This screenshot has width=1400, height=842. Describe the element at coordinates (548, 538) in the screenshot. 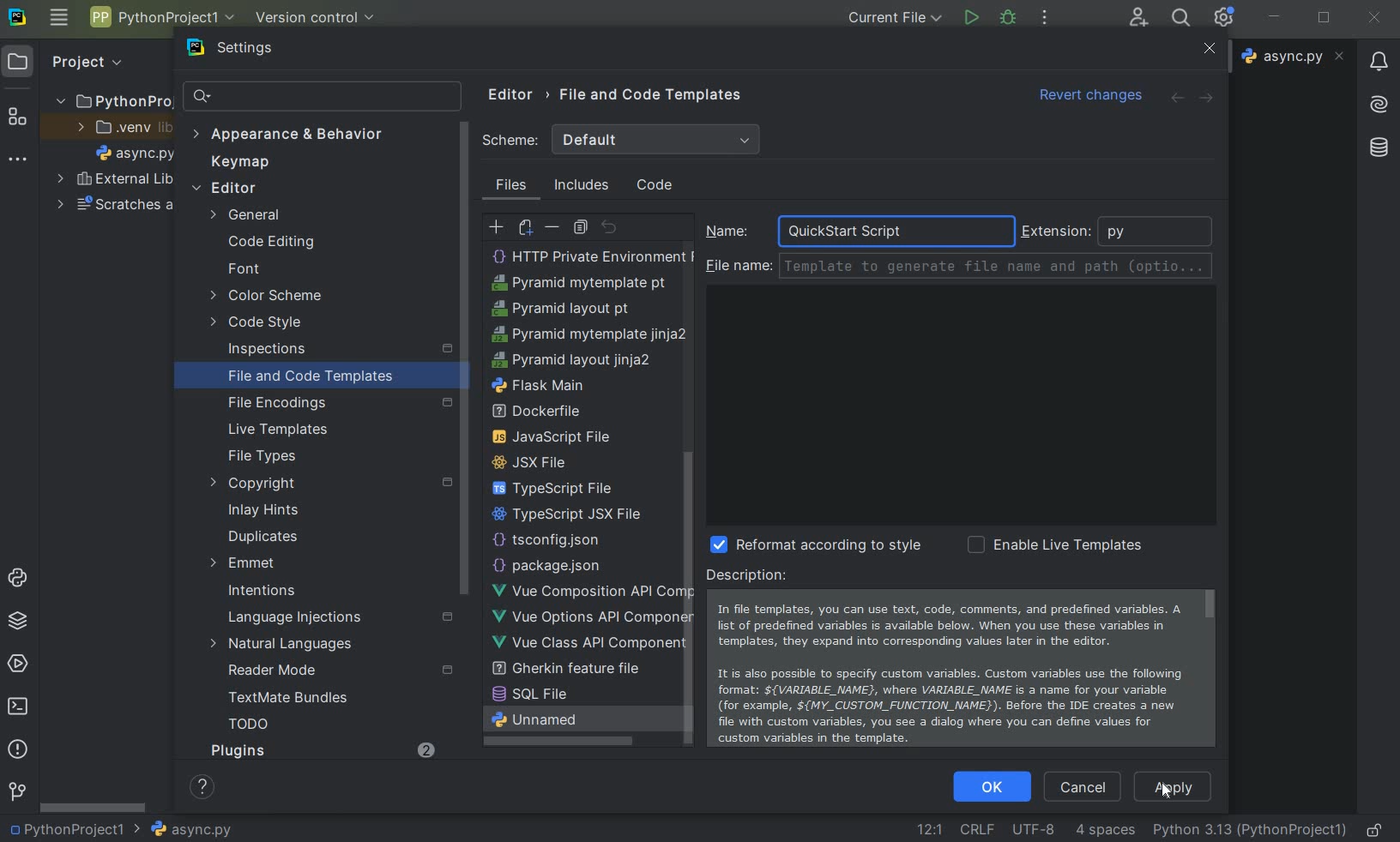

I see `HTTP Request` at that location.